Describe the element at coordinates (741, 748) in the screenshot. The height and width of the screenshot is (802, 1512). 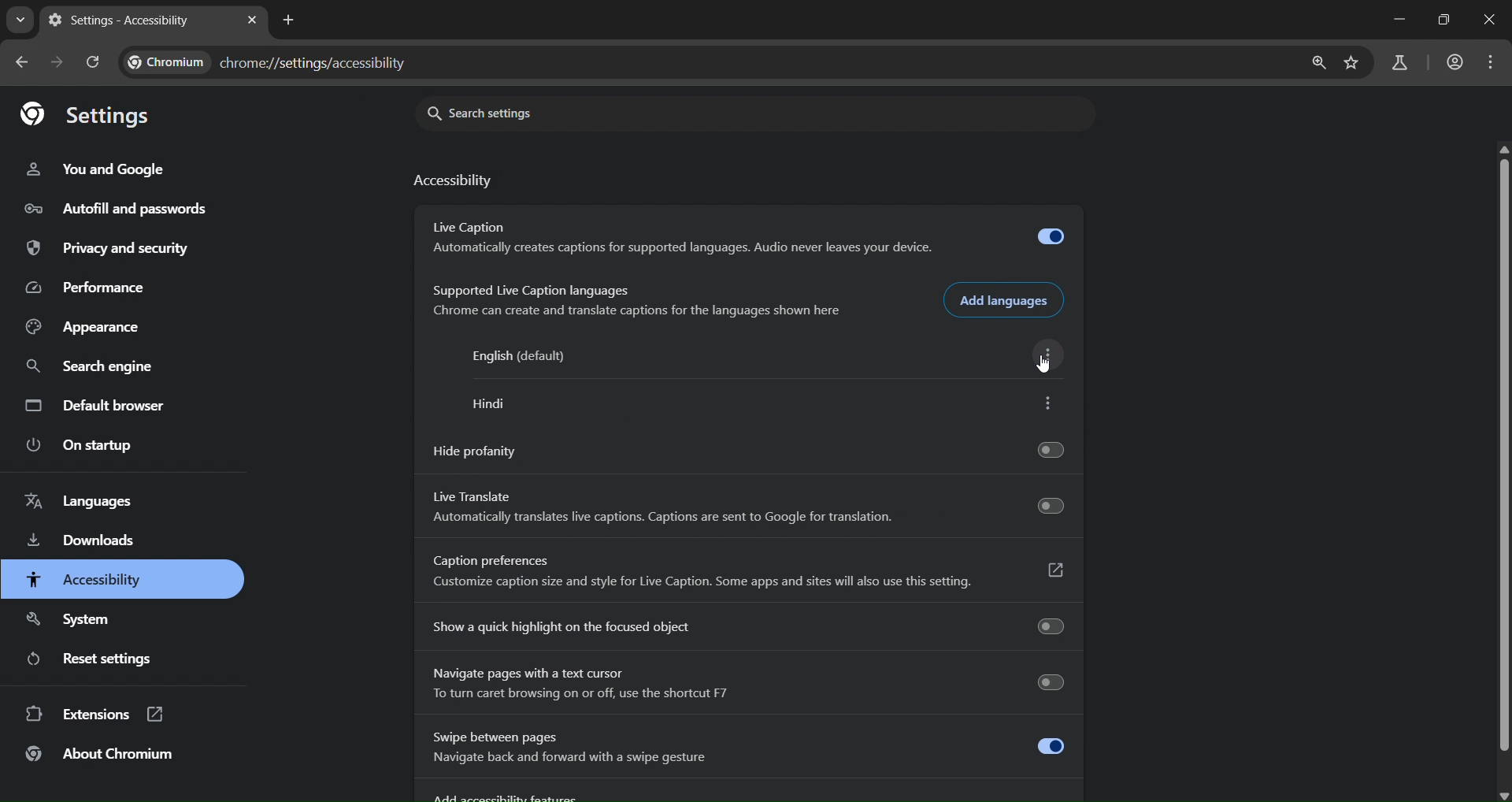
I see `Swipe between pages
Navigate back and forward with a swipe gesture` at that location.